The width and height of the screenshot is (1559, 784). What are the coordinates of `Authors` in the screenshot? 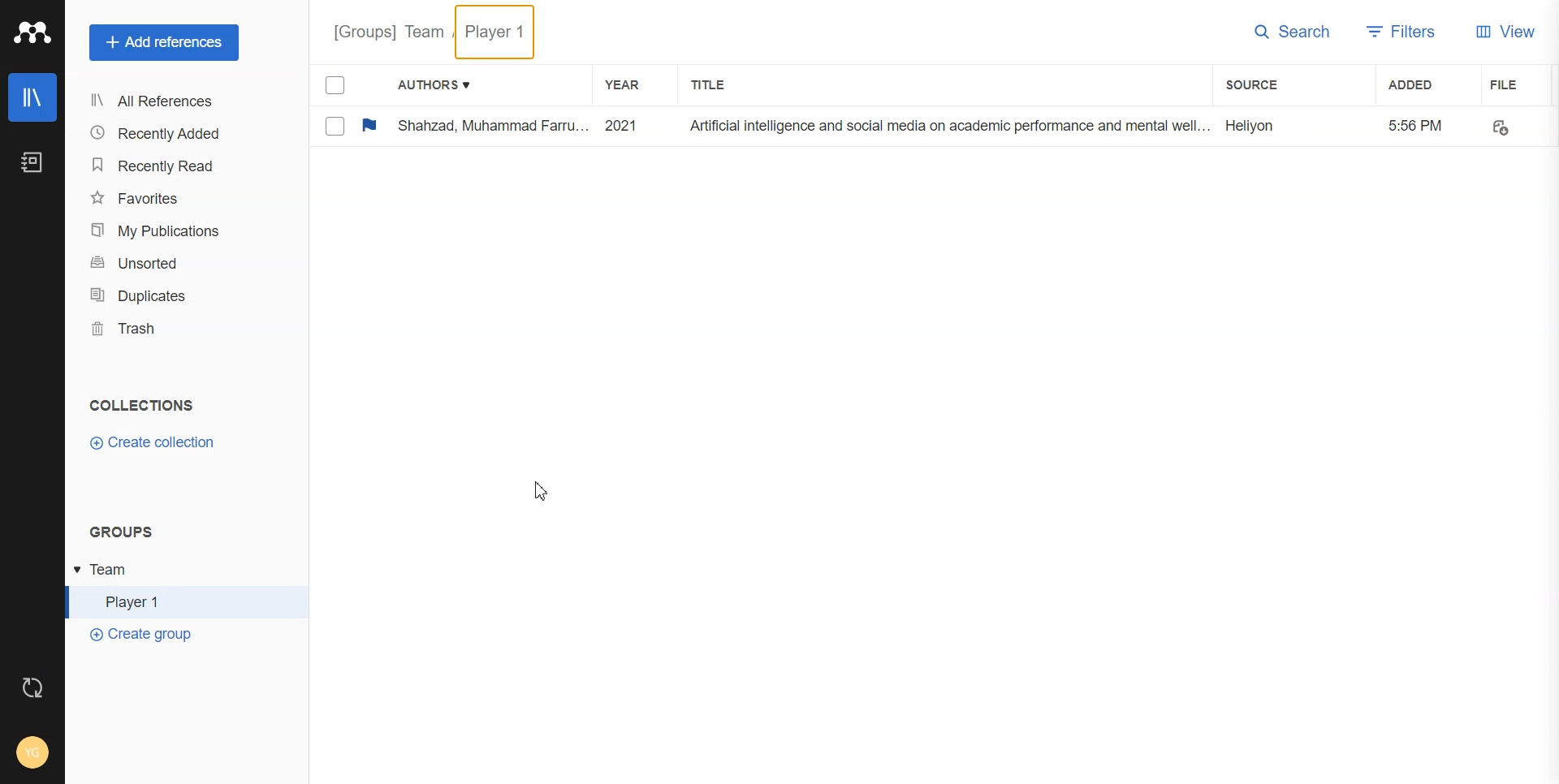 It's located at (430, 84).